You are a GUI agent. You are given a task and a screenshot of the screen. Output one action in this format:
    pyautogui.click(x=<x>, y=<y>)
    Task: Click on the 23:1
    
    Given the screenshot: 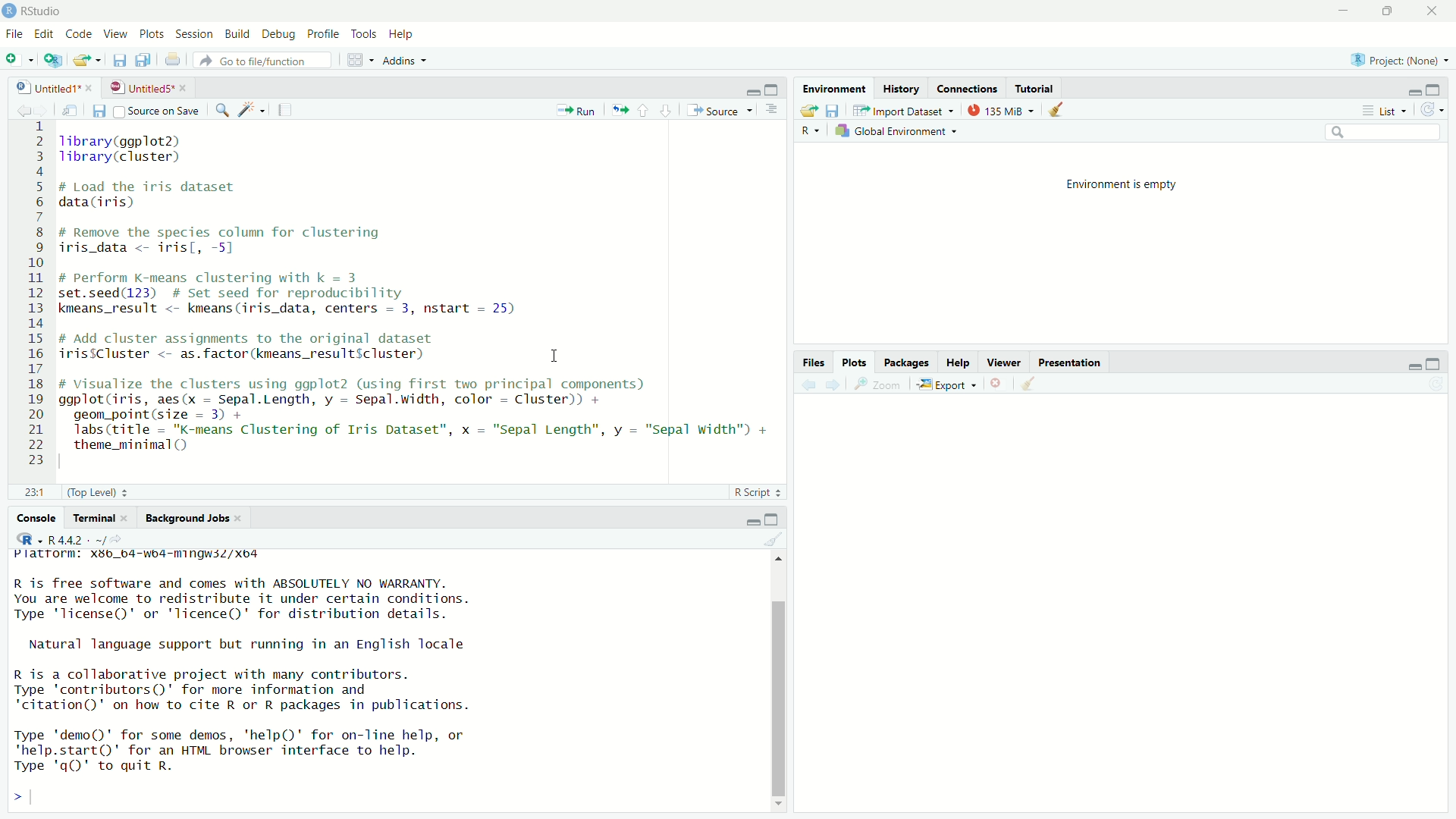 What is the action you would take?
    pyautogui.click(x=27, y=490)
    